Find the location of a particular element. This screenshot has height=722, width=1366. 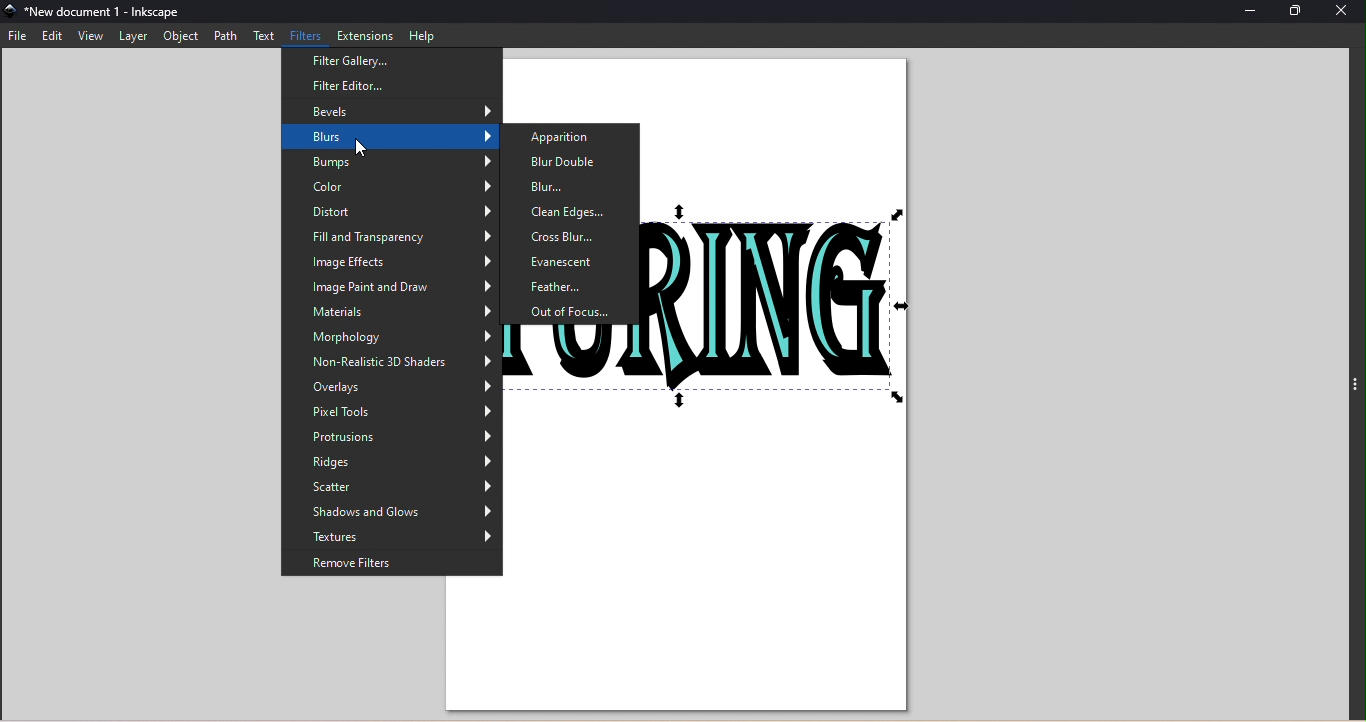

Ridges is located at coordinates (390, 459).